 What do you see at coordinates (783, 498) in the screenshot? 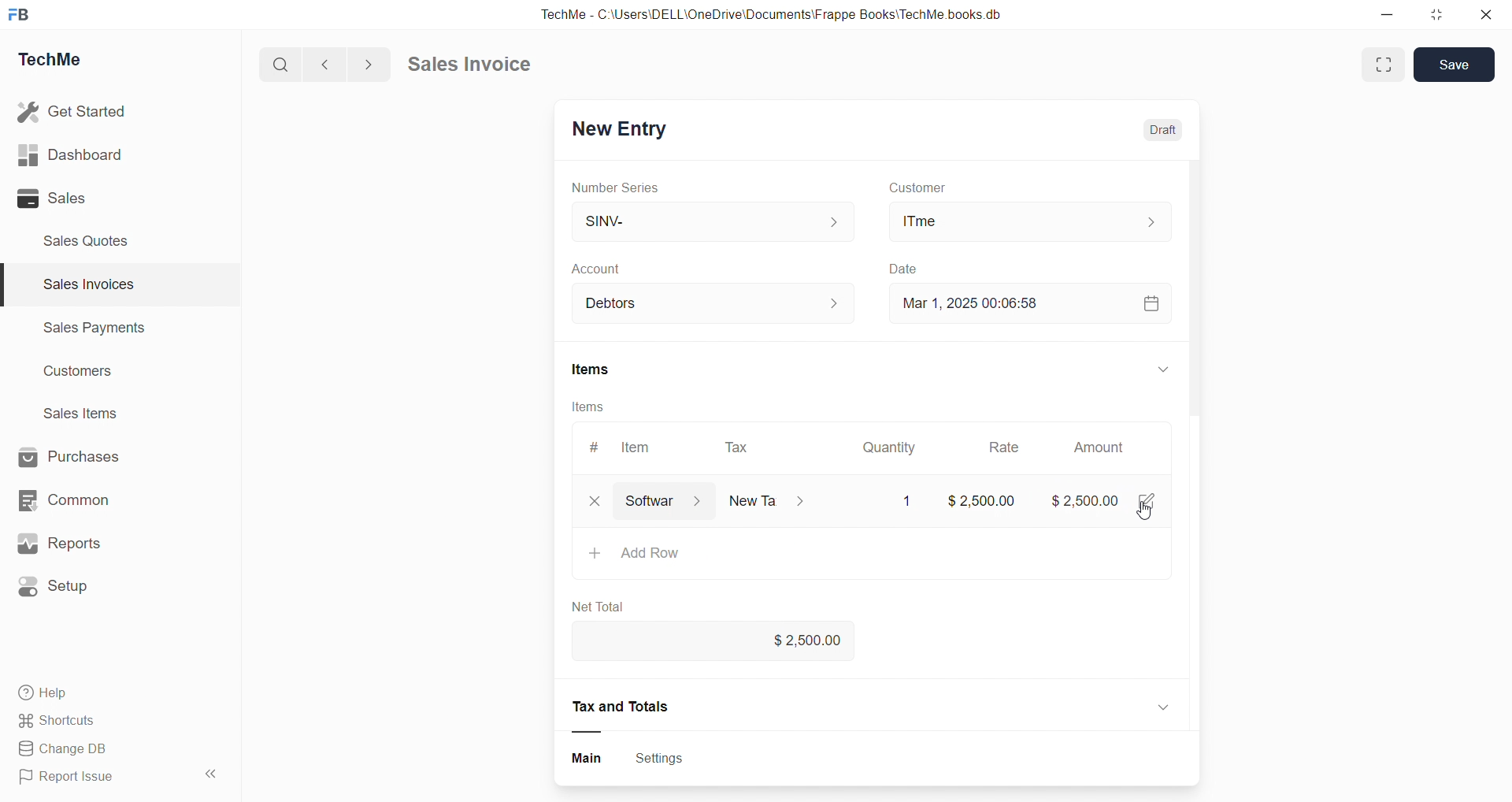
I see ` Tax ` at bounding box center [783, 498].